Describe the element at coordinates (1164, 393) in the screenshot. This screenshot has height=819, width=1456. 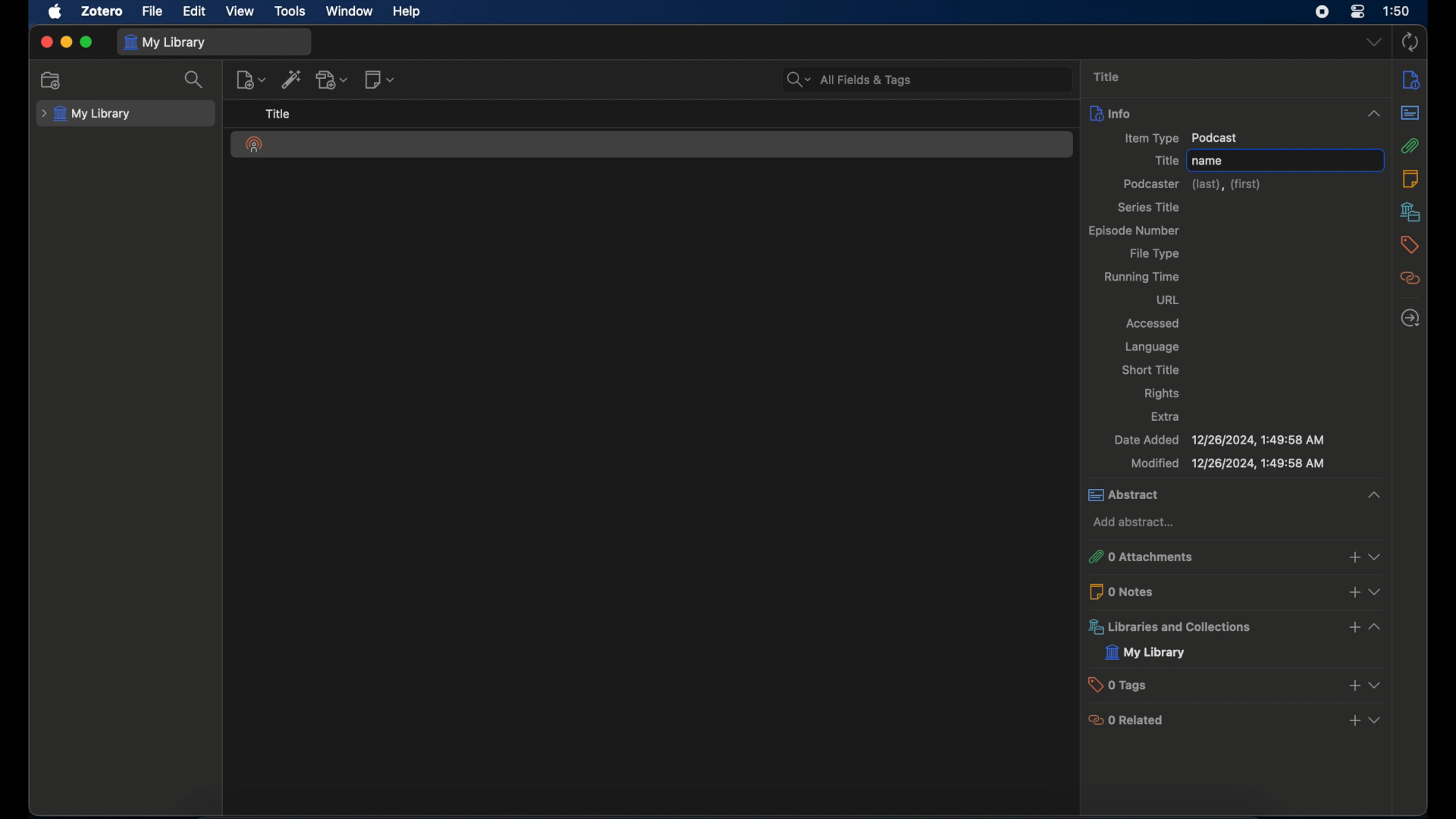
I see `rights` at that location.